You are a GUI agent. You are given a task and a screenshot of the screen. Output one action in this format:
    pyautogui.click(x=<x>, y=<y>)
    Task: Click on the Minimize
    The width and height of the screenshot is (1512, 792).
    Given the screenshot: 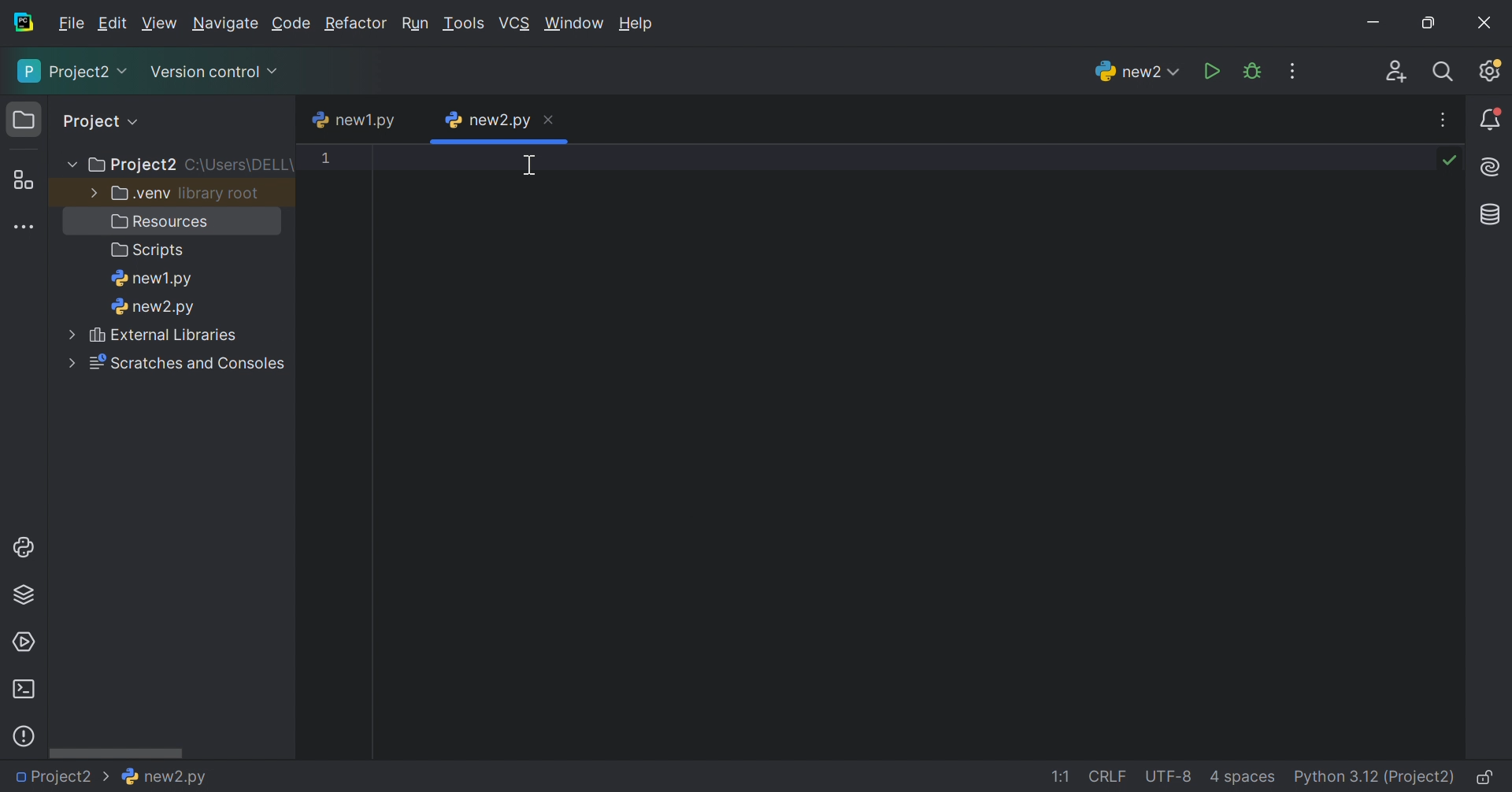 What is the action you would take?
    pyautogui.click(x=1377, y=23)
    